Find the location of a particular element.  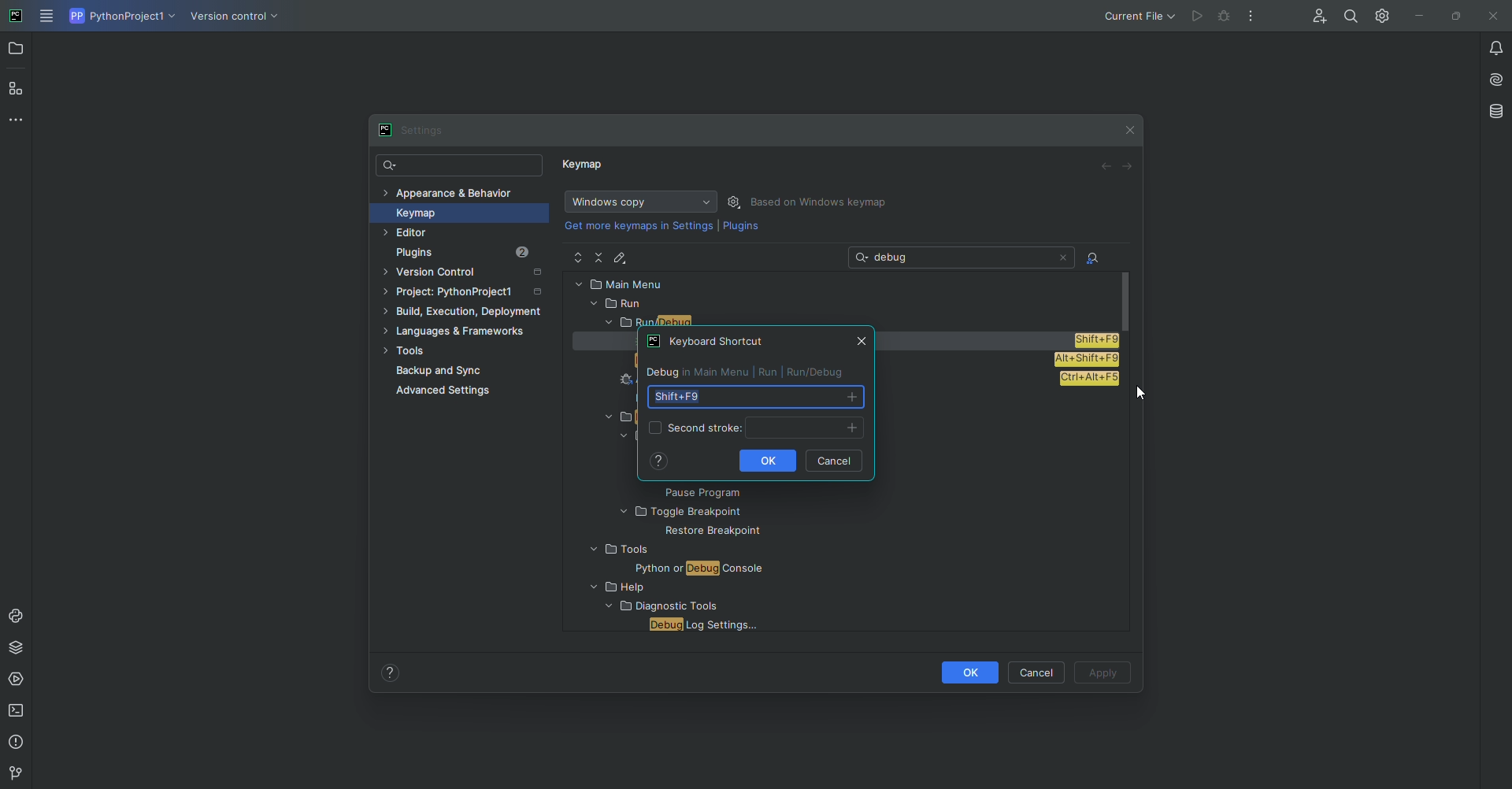

Search is located at coordinates (461, 166).